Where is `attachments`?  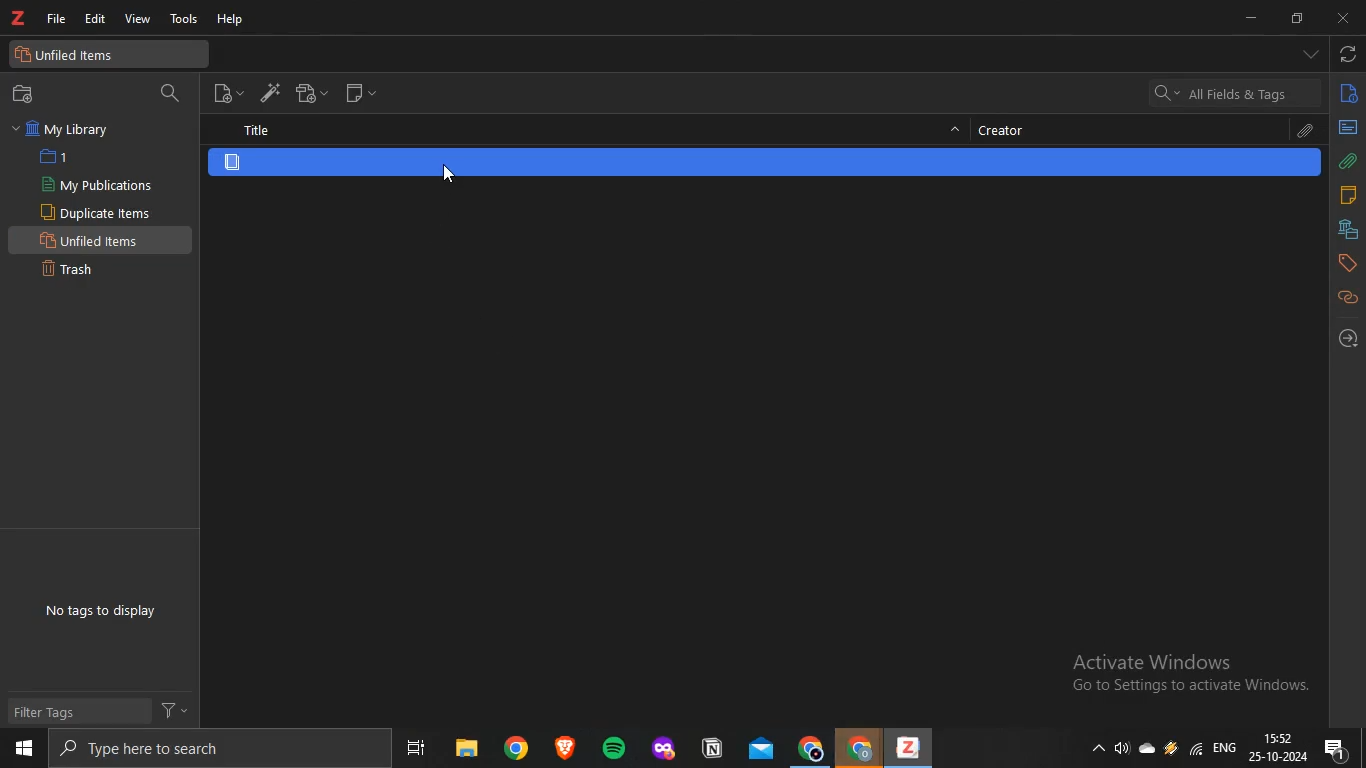 attachments is located at coordinates (1348, 161).